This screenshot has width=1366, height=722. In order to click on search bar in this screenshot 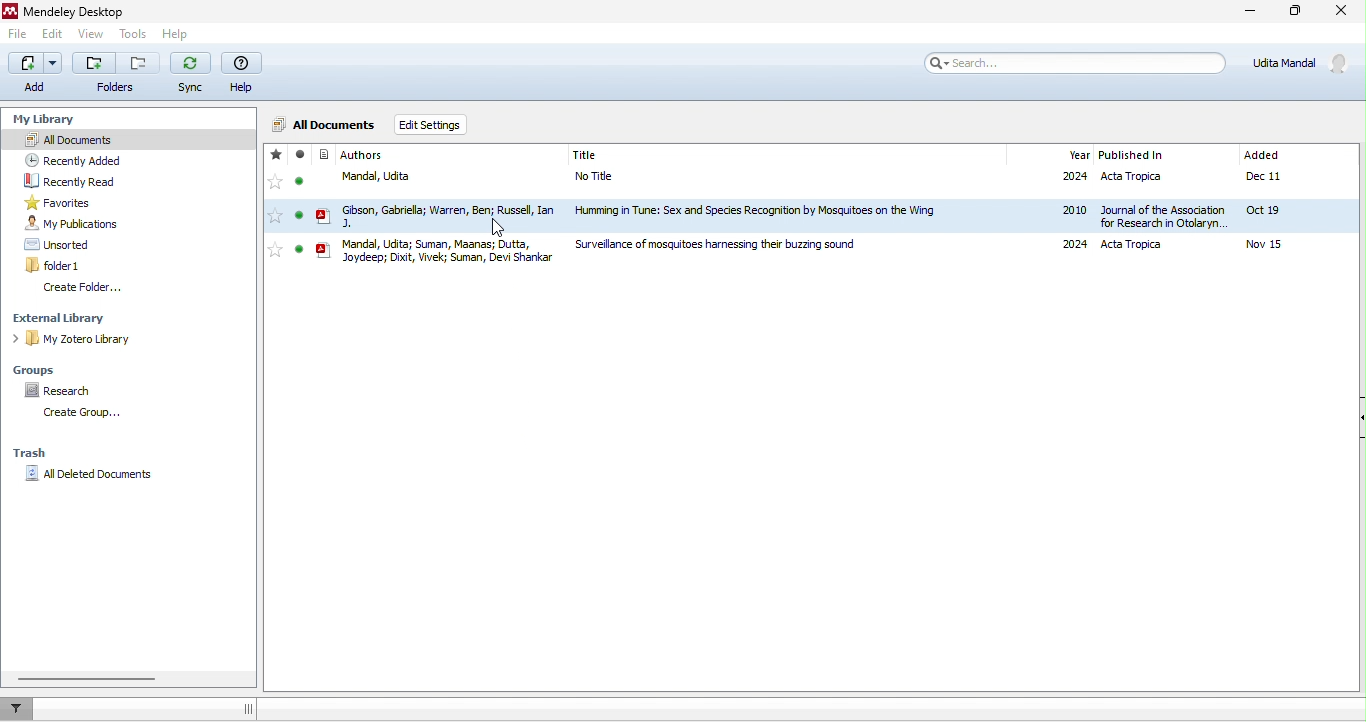, I will do `click(1079, 61)`.